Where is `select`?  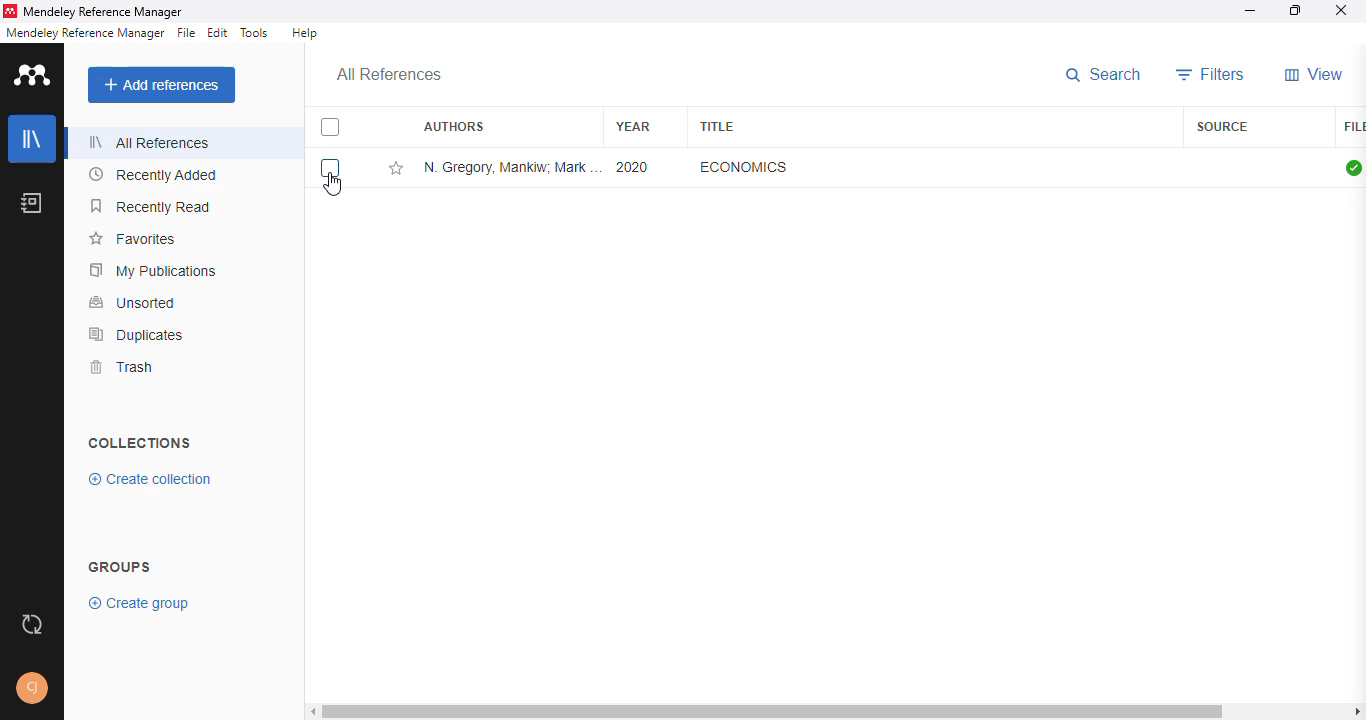 select is located at coordinates (331, 128).